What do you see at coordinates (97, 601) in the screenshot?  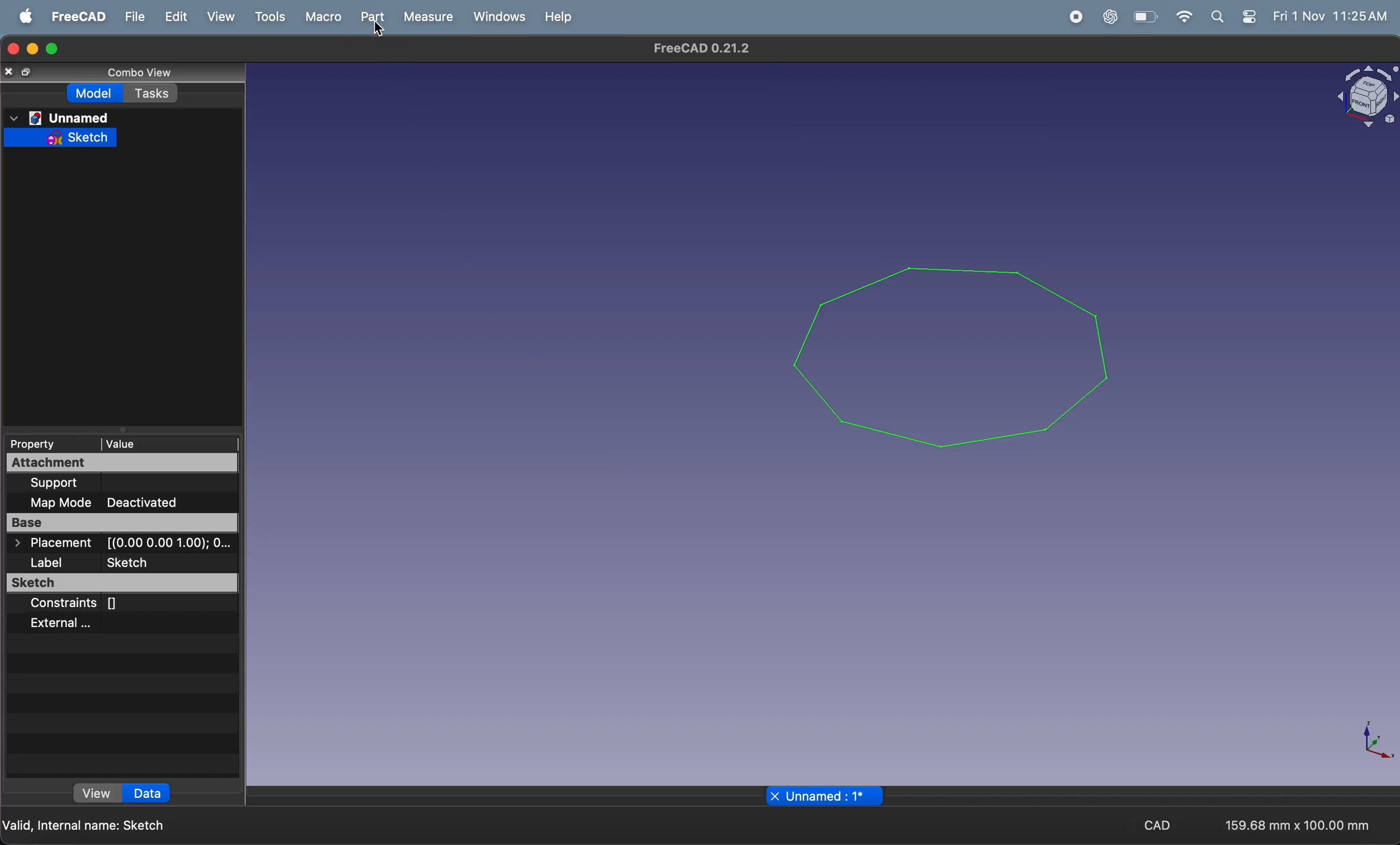 I see `constraints` at bounding box center [97, 601].